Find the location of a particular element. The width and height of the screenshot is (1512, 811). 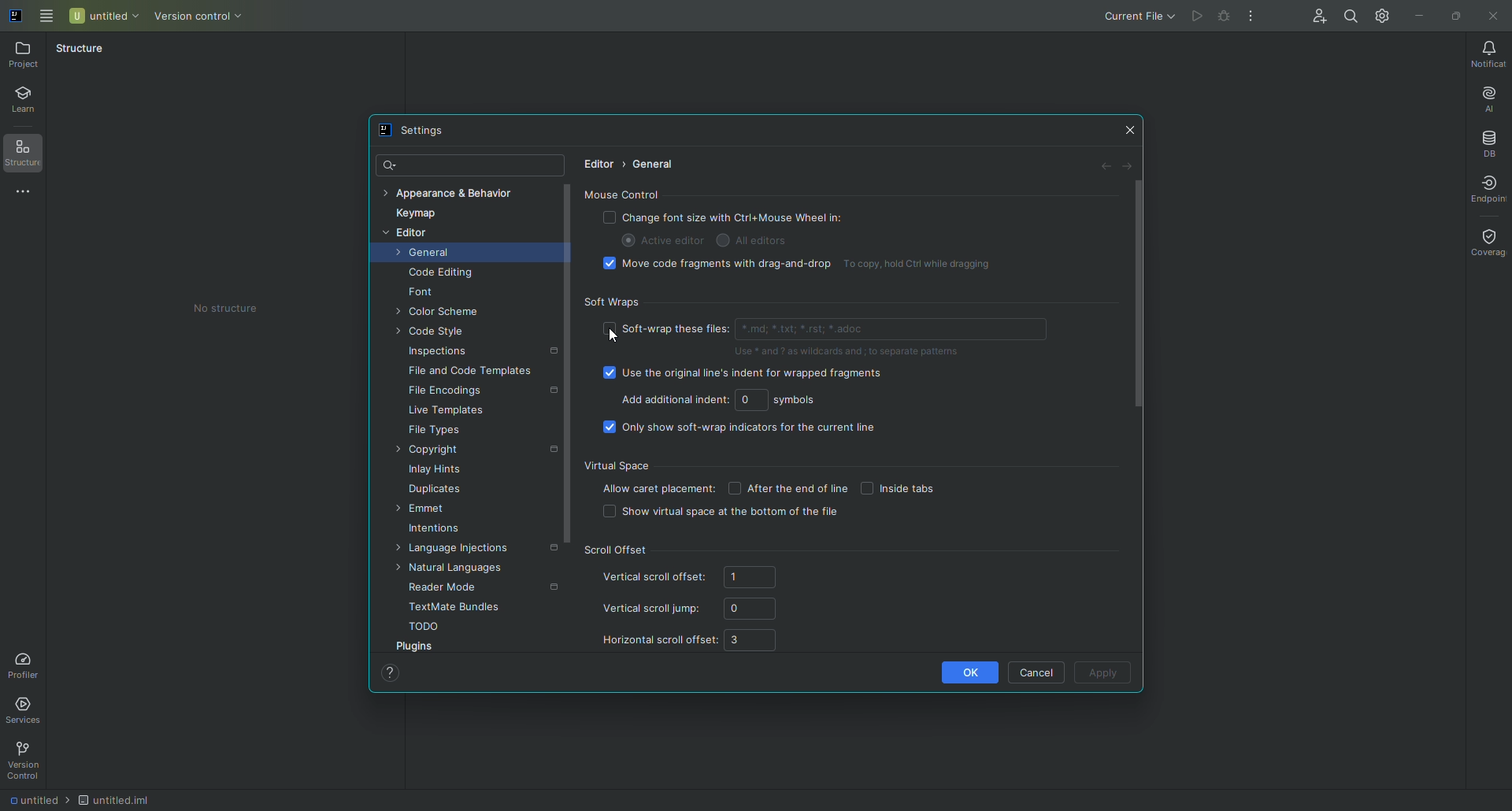

Inlay Hints is located at coordinates (440, 472).